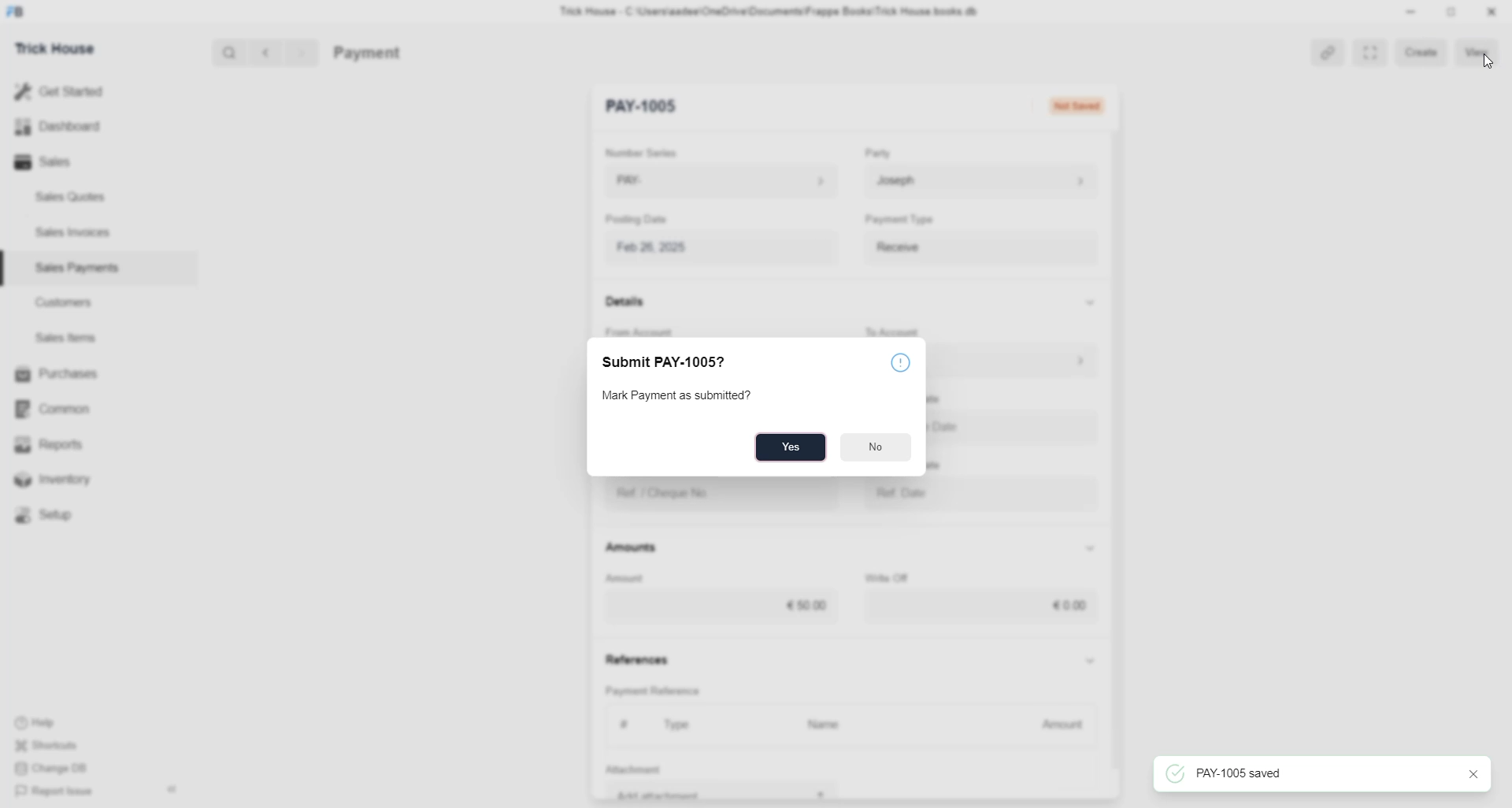 Image resolution: width=1512 pixels, height=808 pixels. What do you see at coordinates (172, 789) in the screenshot?
I see `Hide sidebar` at bounding box center [172, 789].